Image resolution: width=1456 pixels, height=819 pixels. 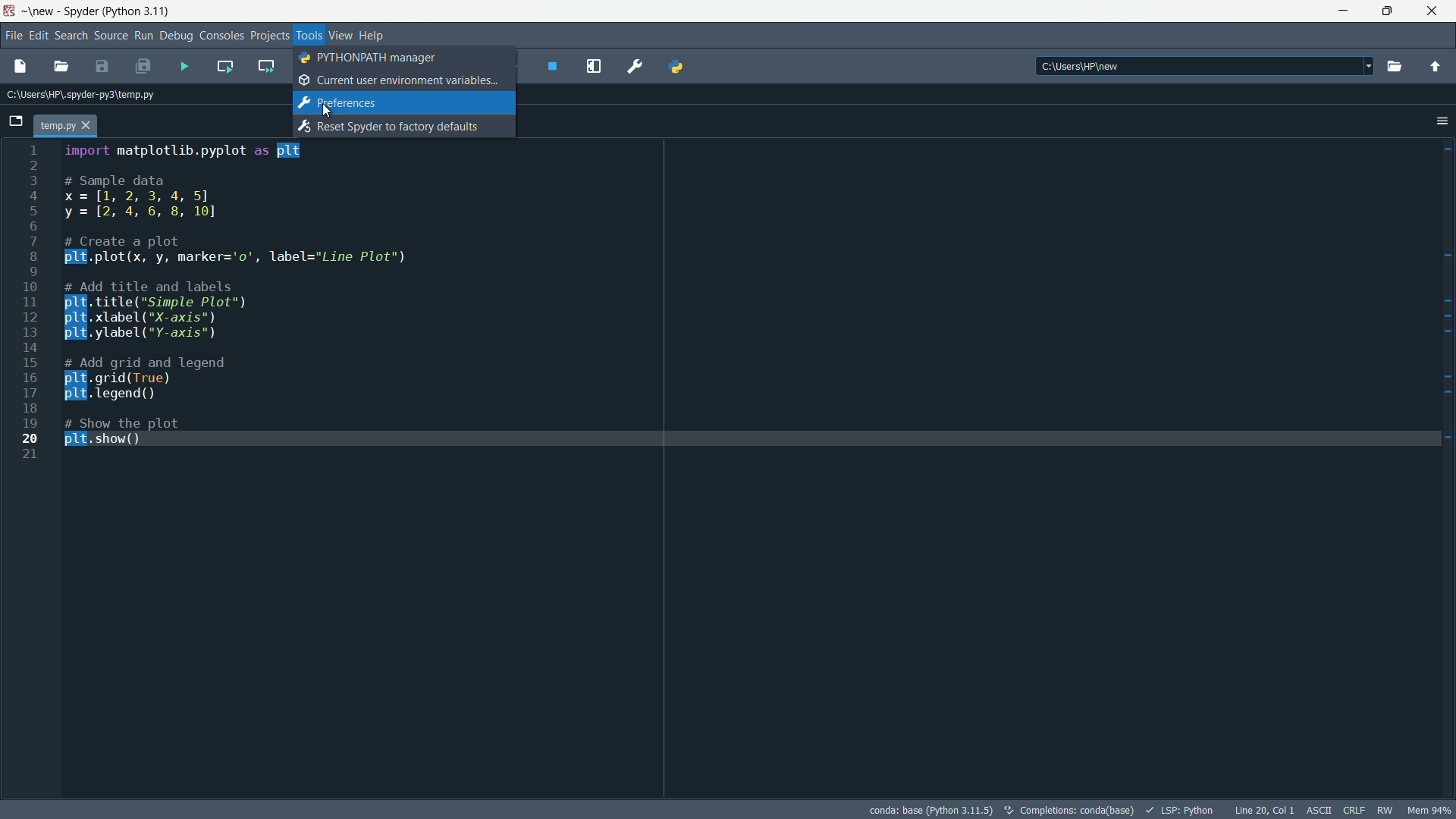 I want to click on help, so click(x=373, y=35).